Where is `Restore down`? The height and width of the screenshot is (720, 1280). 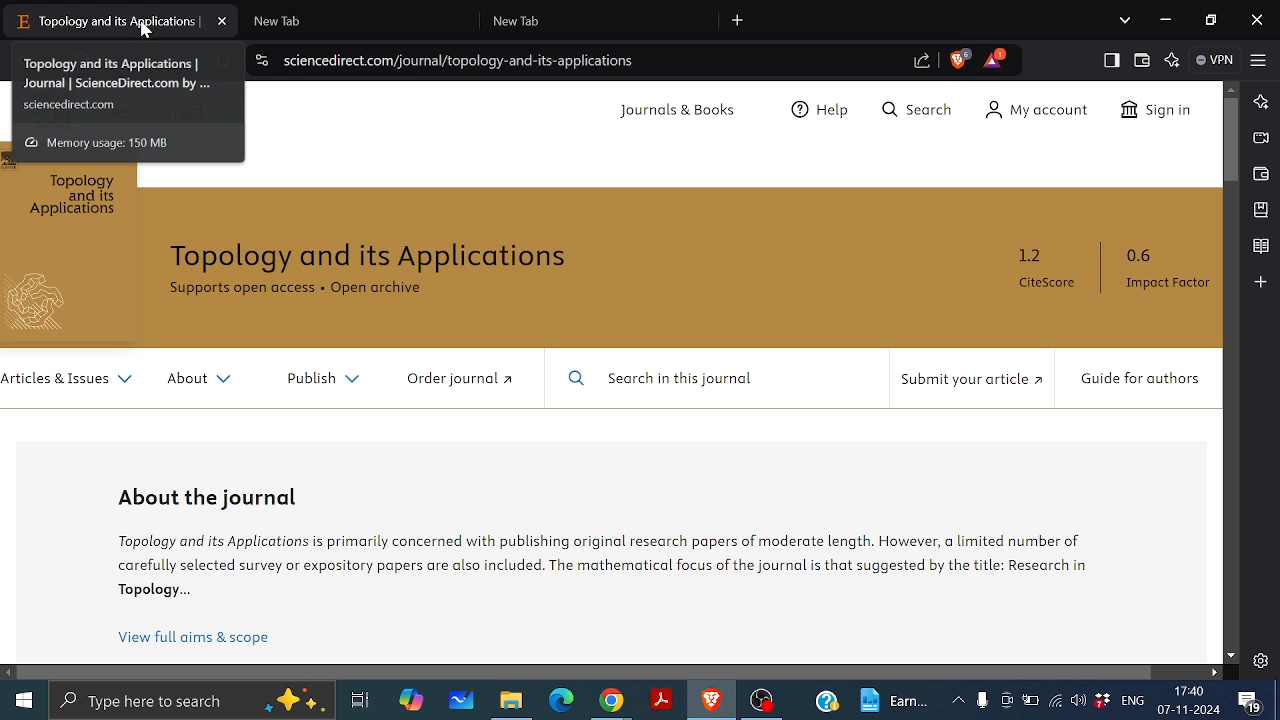
Restore down is located at coordinates (1210, 19).